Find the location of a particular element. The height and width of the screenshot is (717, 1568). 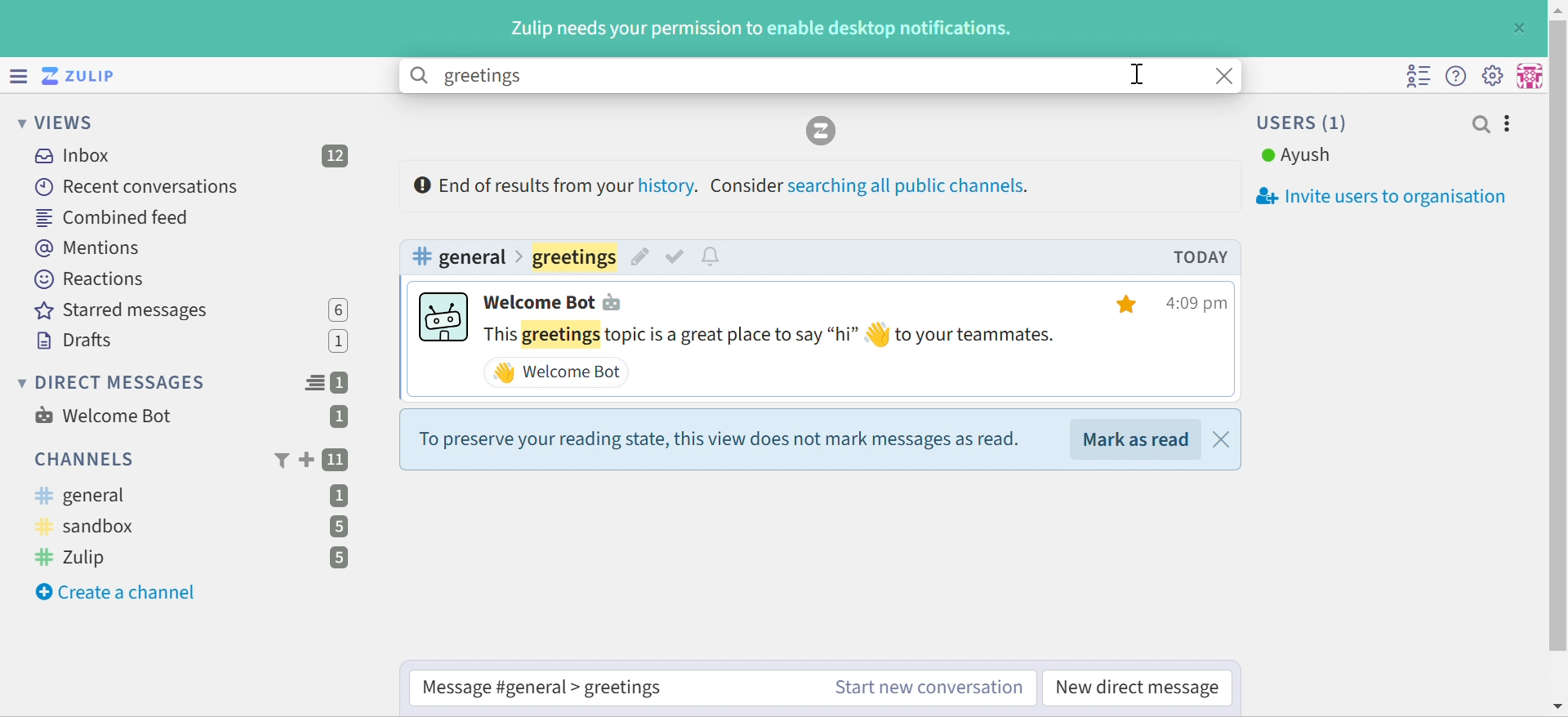

5 is located at coordinates (339, 559).